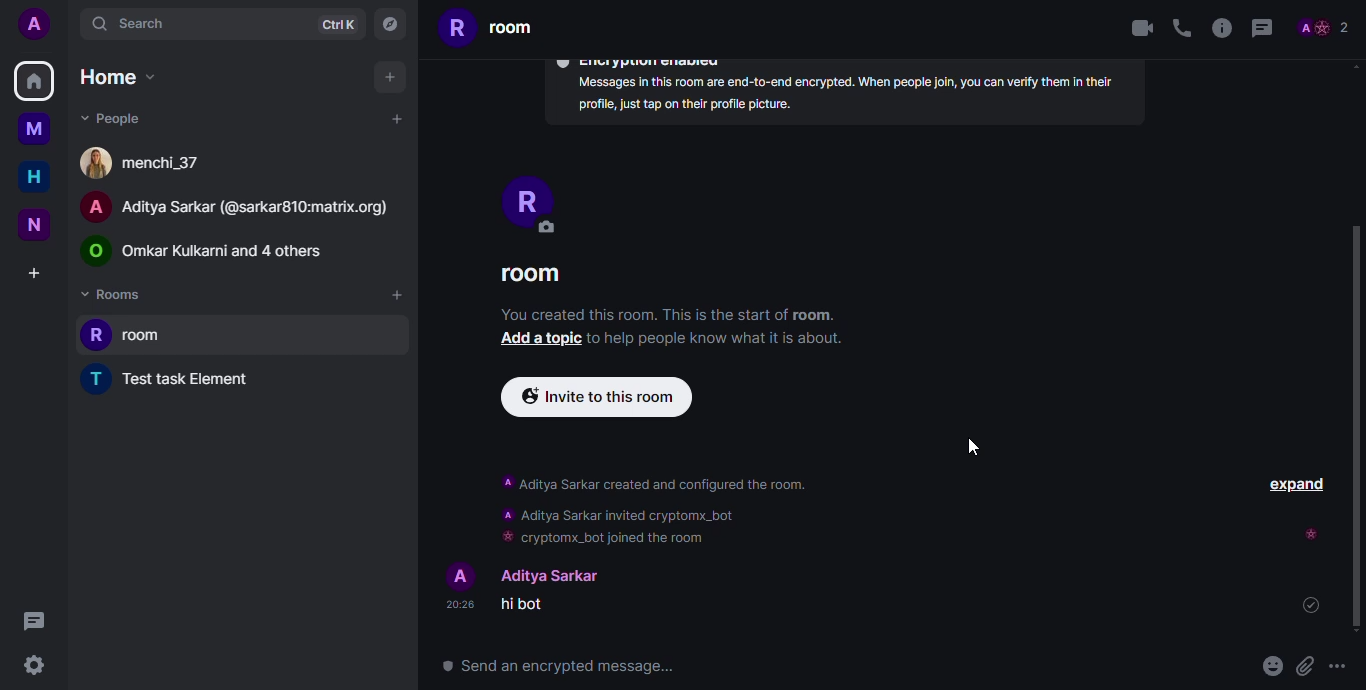 Image resolution: width=1366 pixels, height=690 pixels. What do you see at coordinates (1272, 27) in the screenshot?
I see `threads` at bounding box center [1272, 27].